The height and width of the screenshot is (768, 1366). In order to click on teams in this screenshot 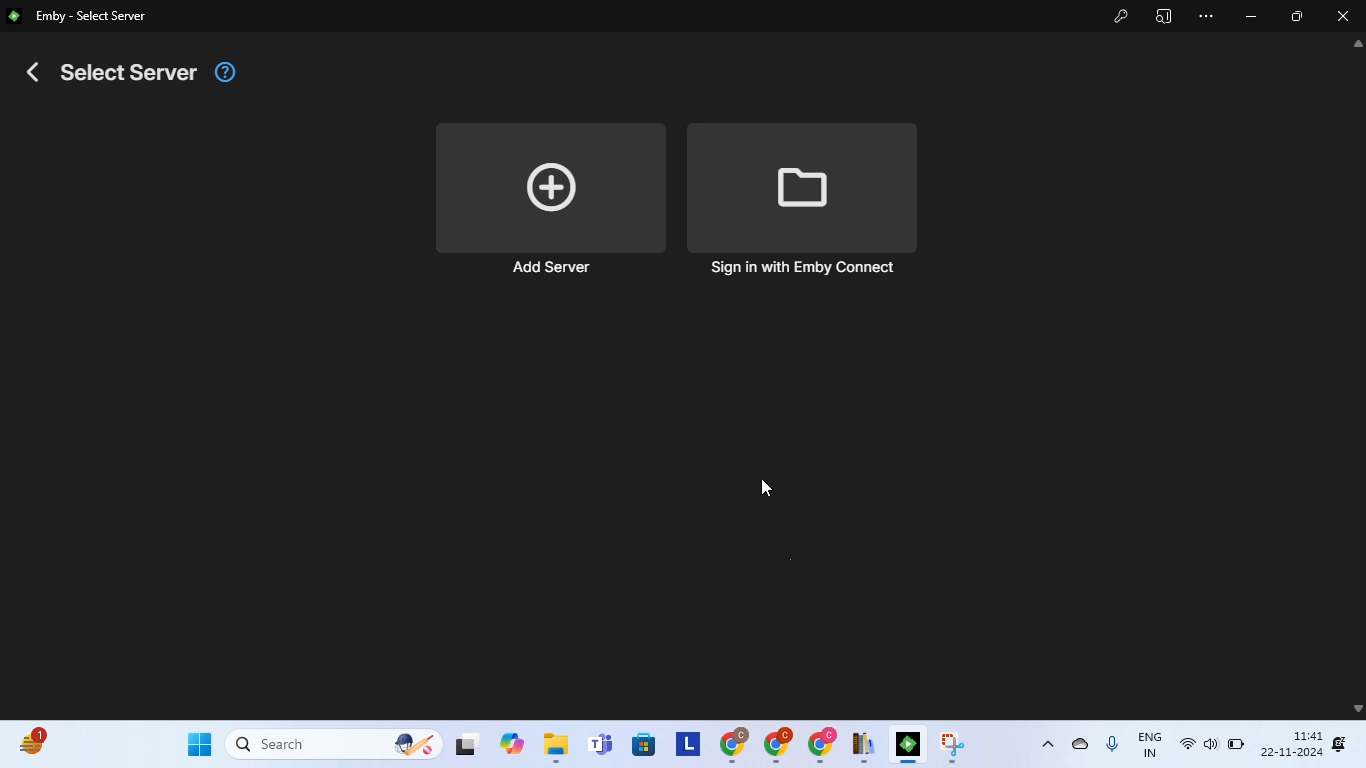, I will do `click(602, 745)`.